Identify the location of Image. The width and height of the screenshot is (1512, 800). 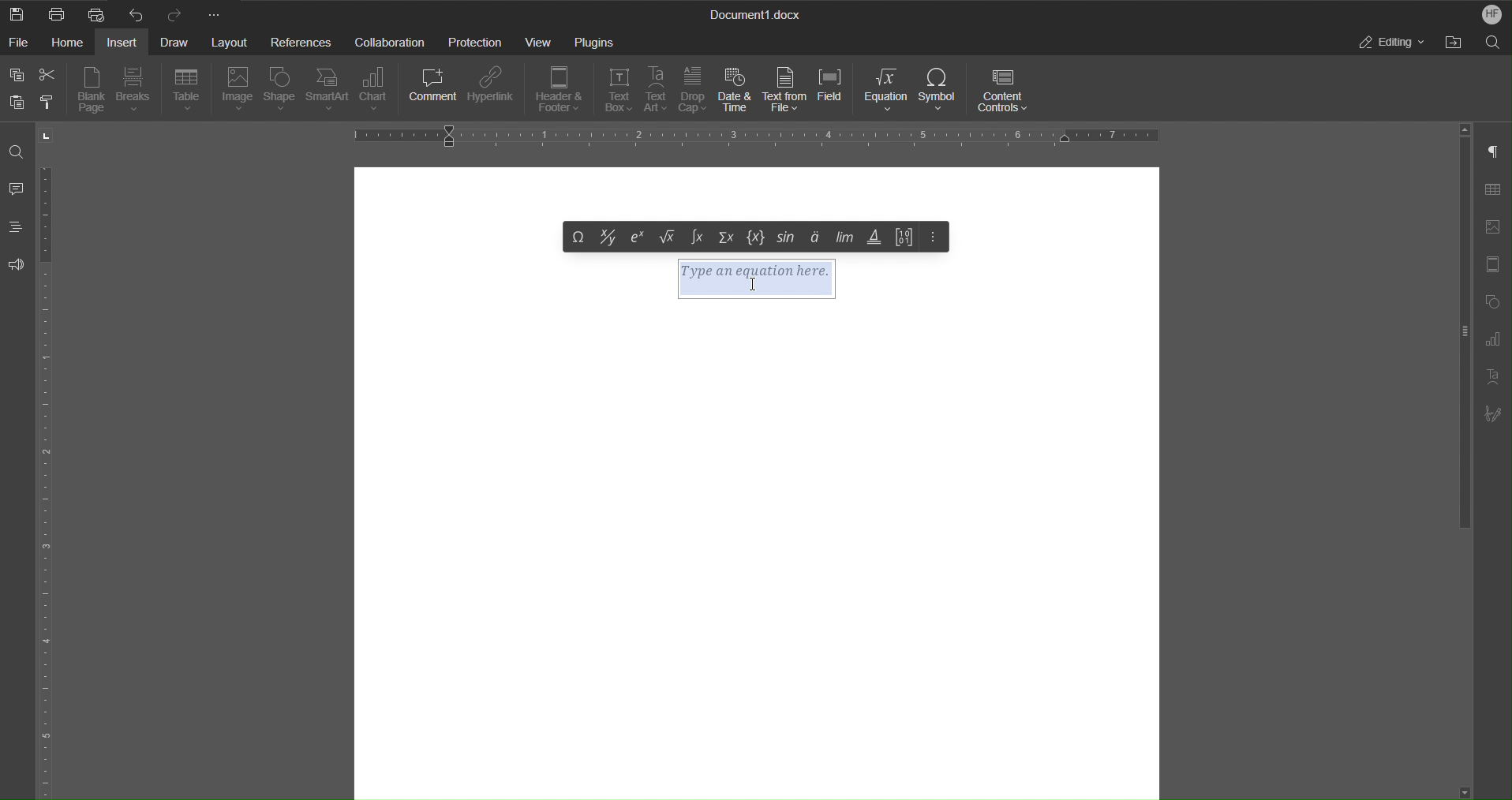
(234, 91).